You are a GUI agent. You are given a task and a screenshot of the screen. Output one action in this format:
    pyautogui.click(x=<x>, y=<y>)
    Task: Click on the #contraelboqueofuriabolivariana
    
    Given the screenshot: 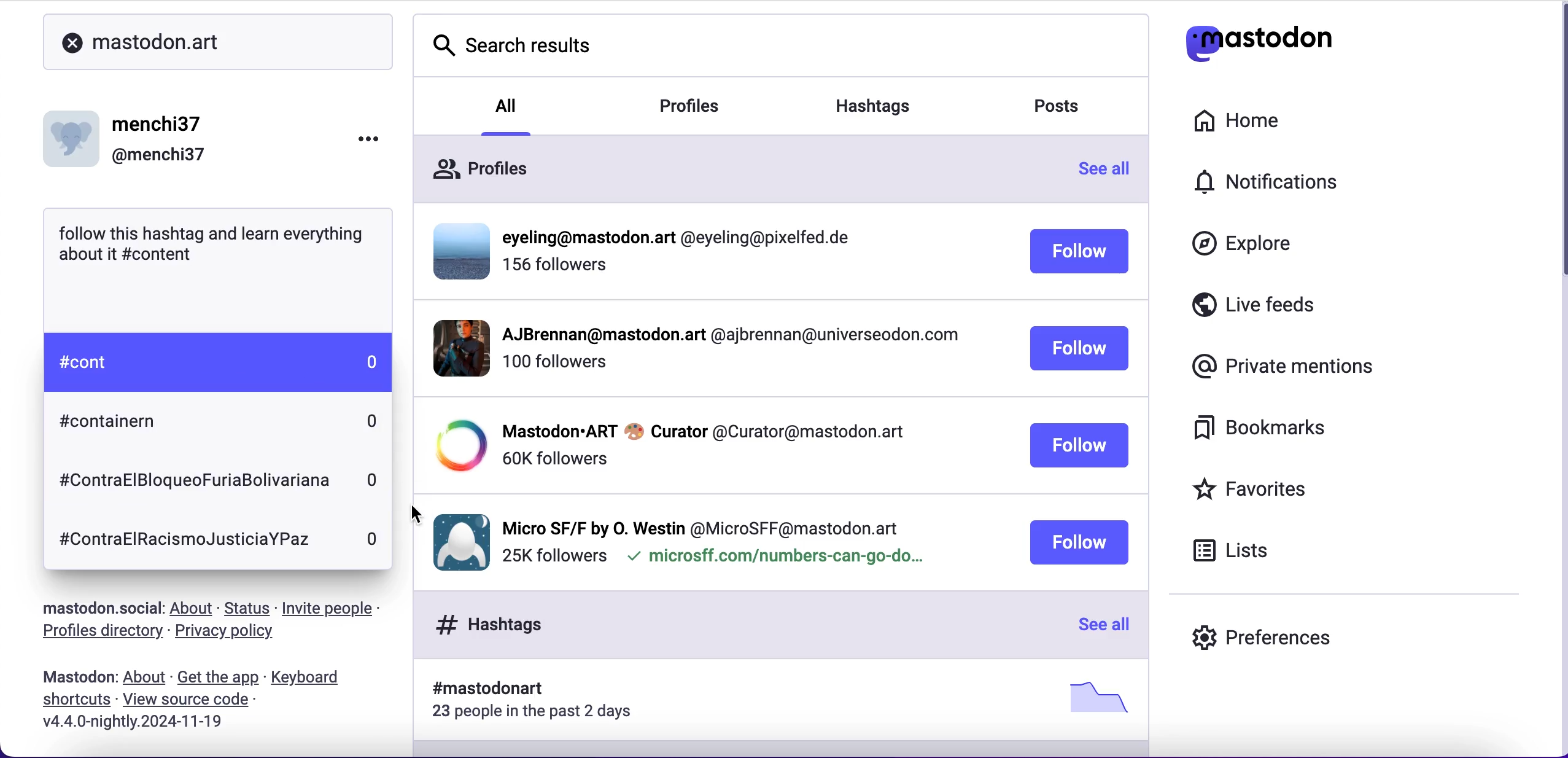 What is the action you would take?
    pyautogui.click(x=193, y=477)
    